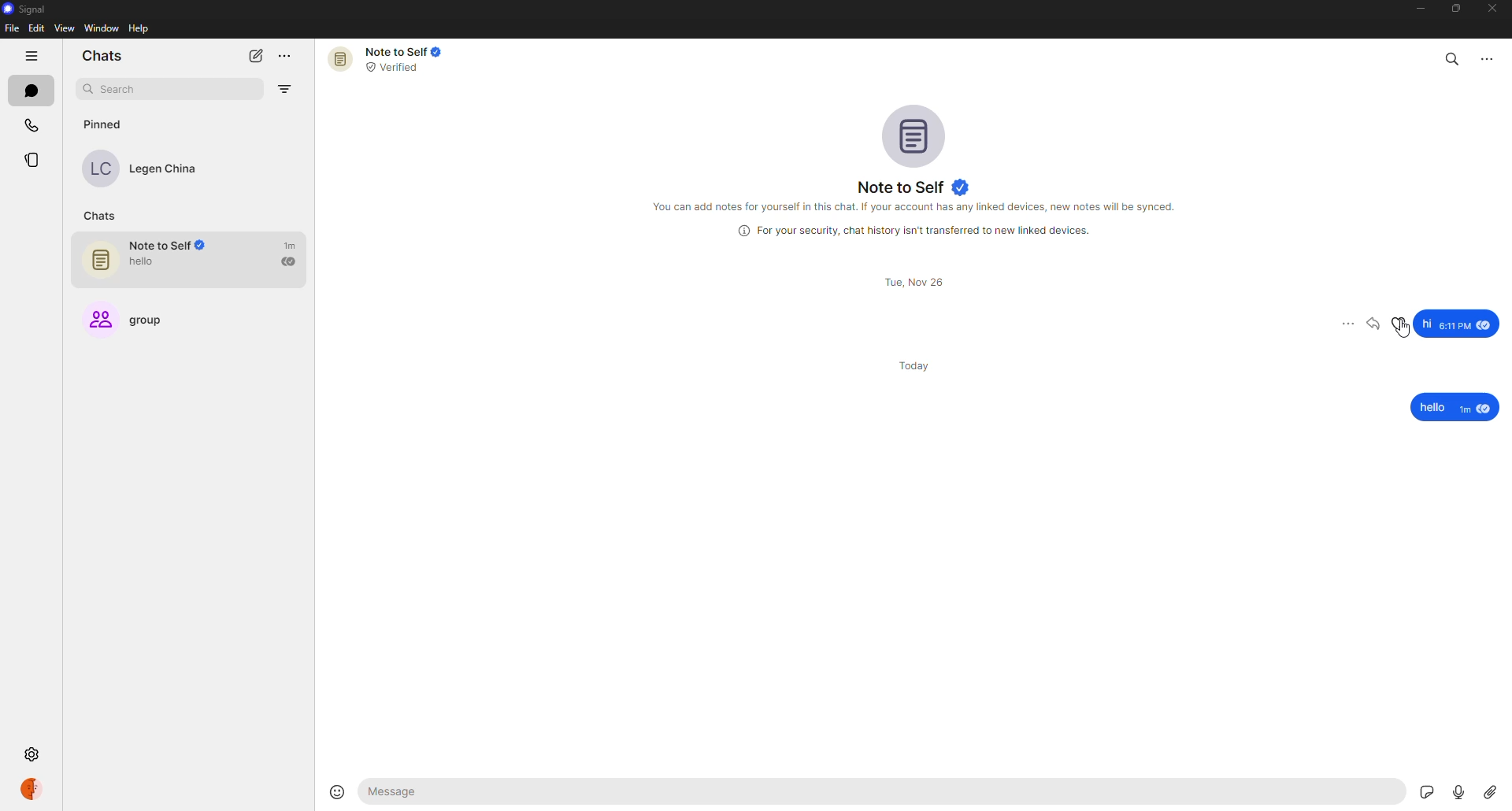 This screenshot has height=811, width=1512. I want to click on day, so click(918, 364).